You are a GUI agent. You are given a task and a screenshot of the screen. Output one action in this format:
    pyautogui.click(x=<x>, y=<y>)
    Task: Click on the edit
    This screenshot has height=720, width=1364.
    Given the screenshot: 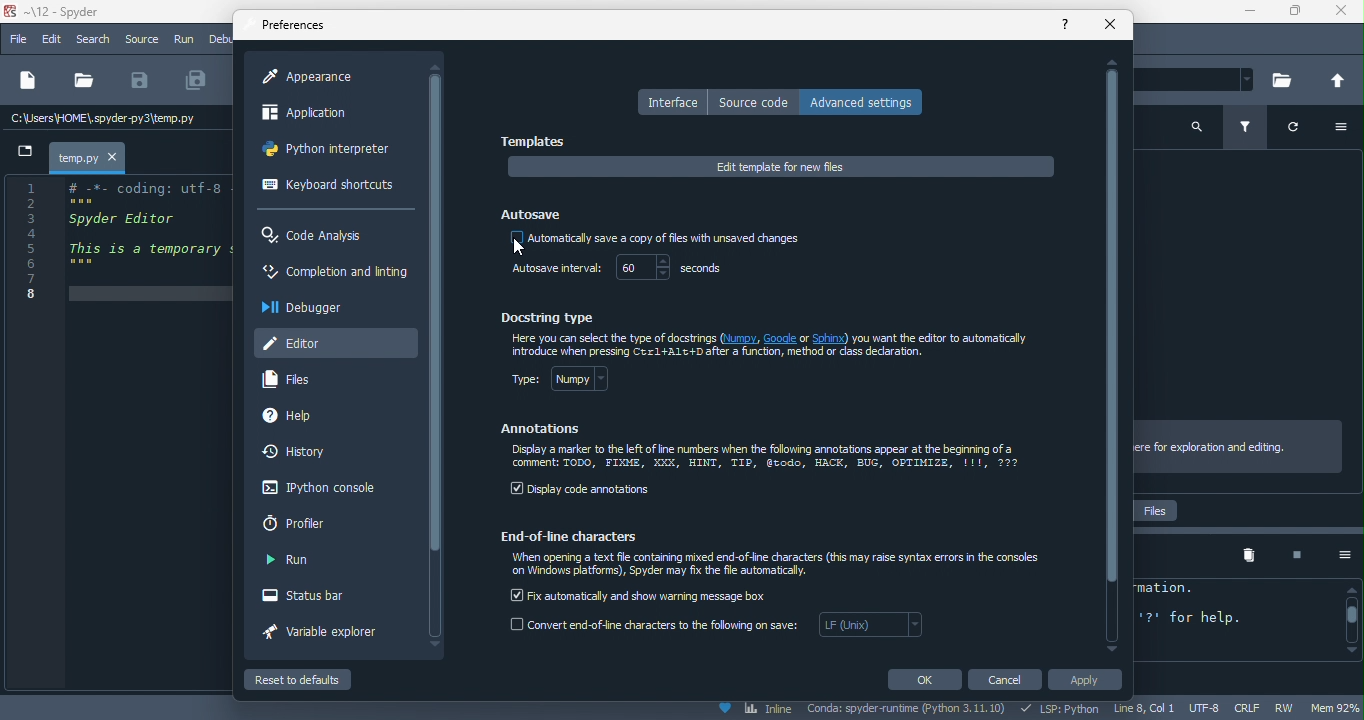 What is the action you would take?
    pyautogui.click(x=54, y=40)
    